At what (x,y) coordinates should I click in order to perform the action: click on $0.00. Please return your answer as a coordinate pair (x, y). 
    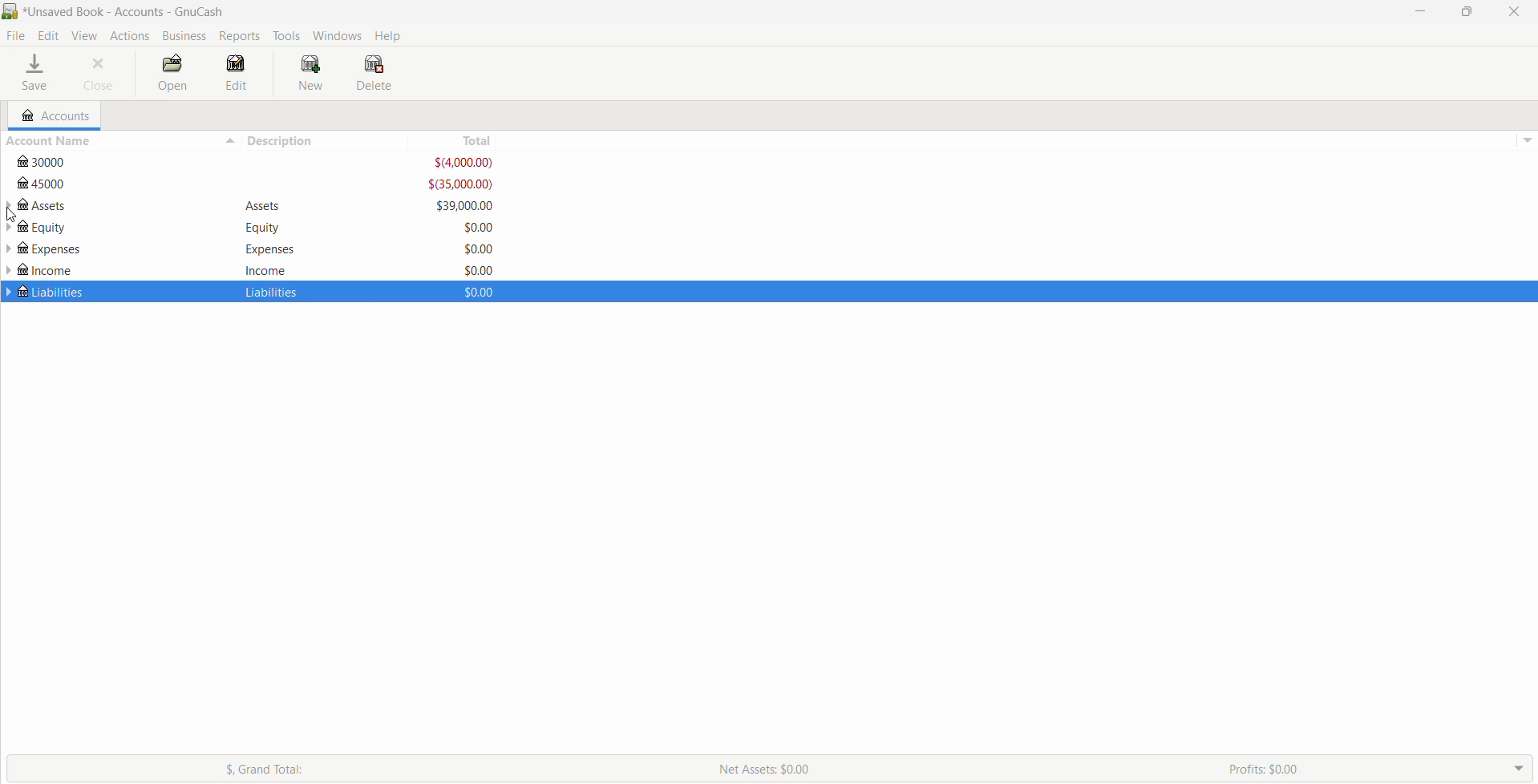
    Looking at the image, I should click on (479, 293).